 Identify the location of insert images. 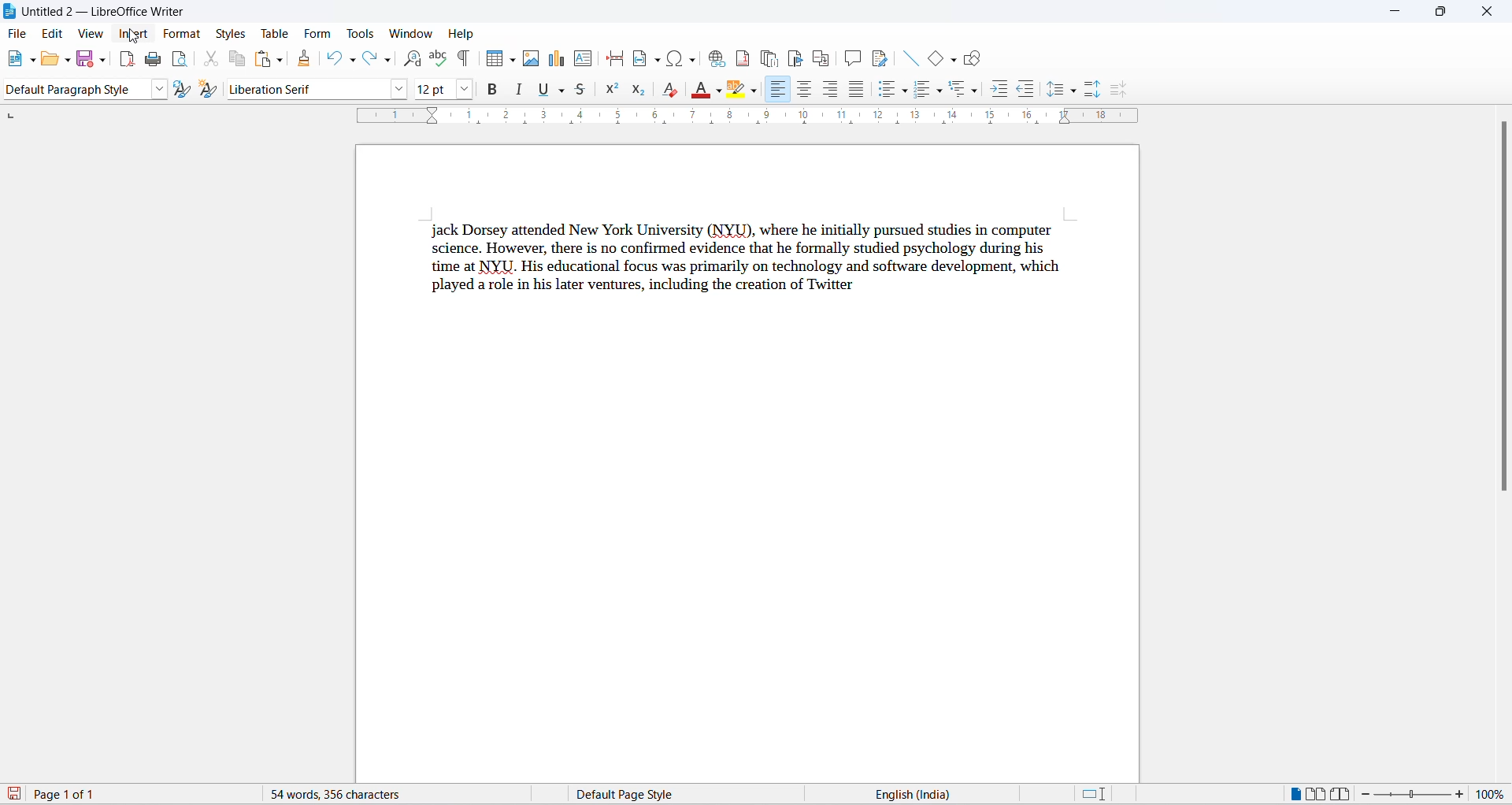
(534, 58).